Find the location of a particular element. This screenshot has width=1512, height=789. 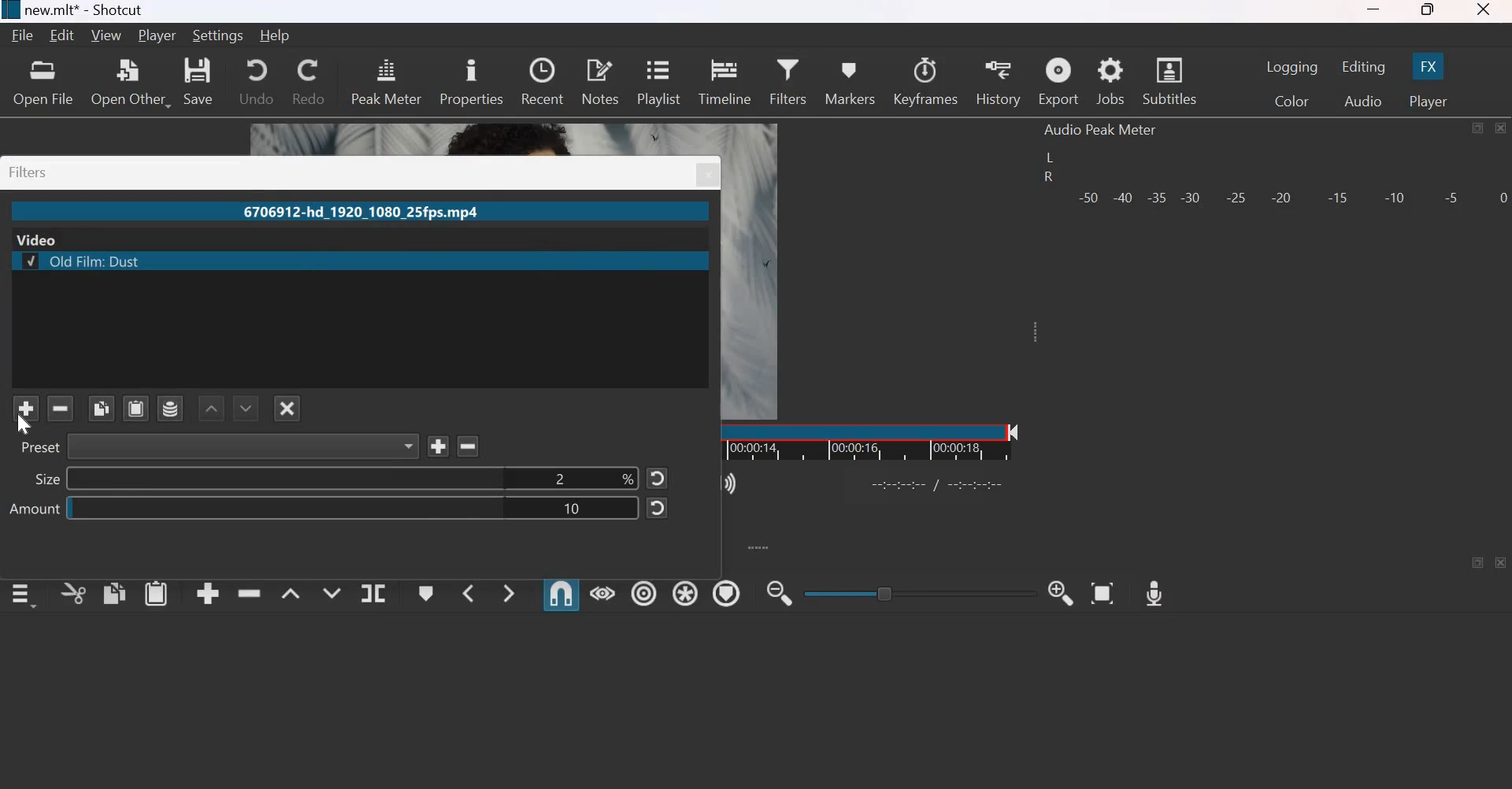

Maximize is located at coordinates (1429, 11).